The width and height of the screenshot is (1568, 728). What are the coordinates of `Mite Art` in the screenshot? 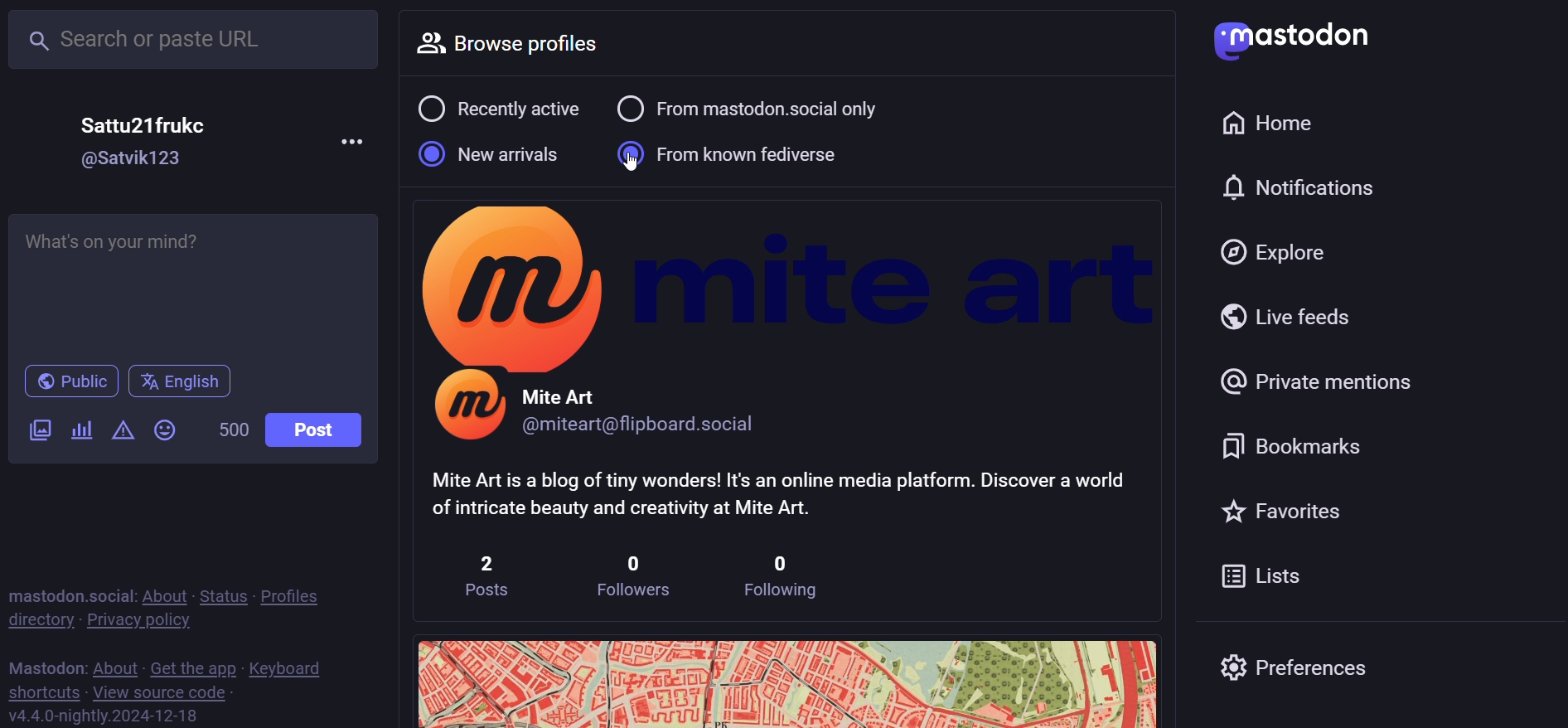 It's located at (565, 389).